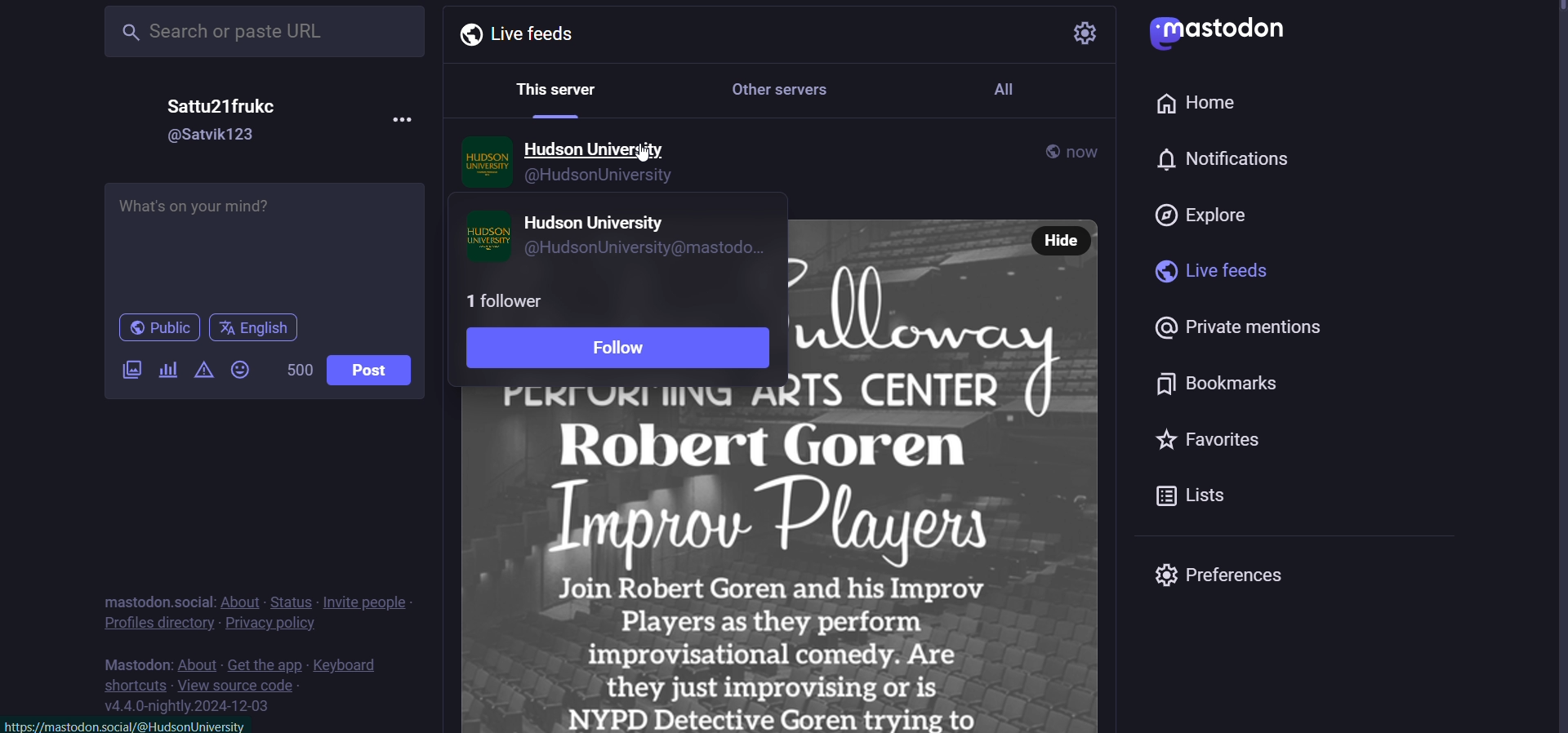 This screenshot has height=733, width=1568. I want to click on notification, so click(1218, 160).